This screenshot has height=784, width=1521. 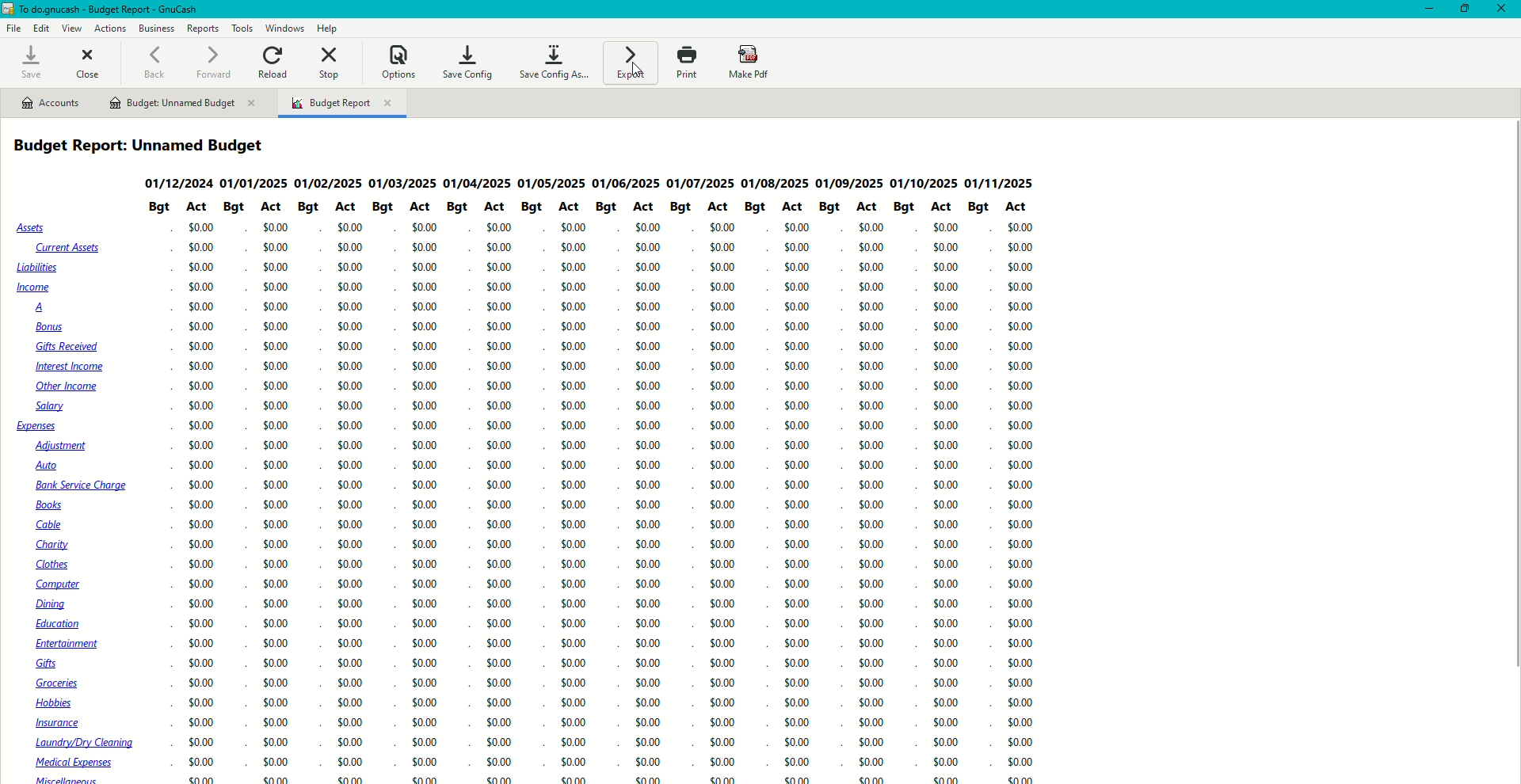 What do you see at coordinates (204, 405) in the screenshot?
I see `0.00` at bounding box center [204, 405].